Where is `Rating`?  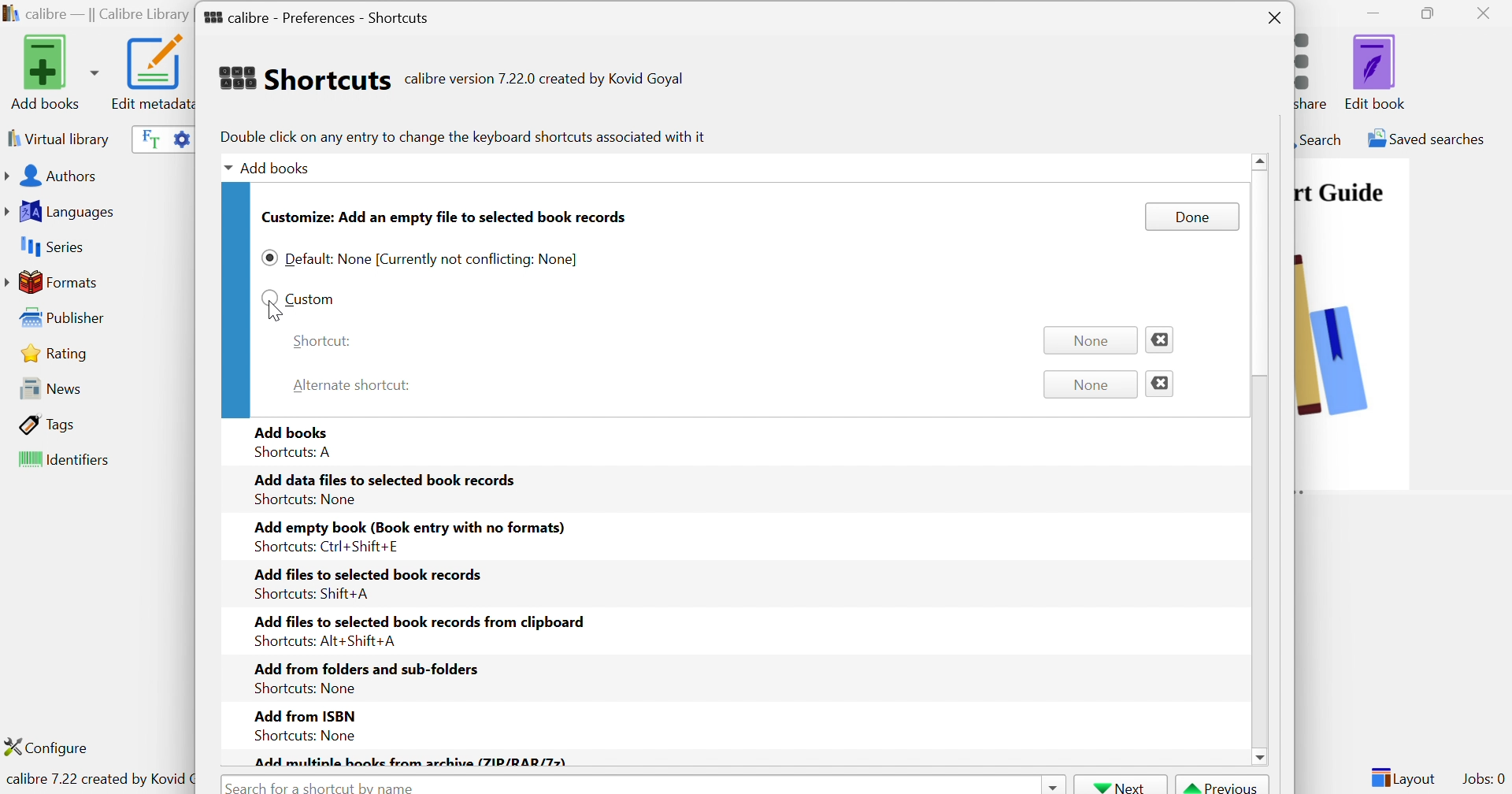 Rating is located at coordinates (57, 353).